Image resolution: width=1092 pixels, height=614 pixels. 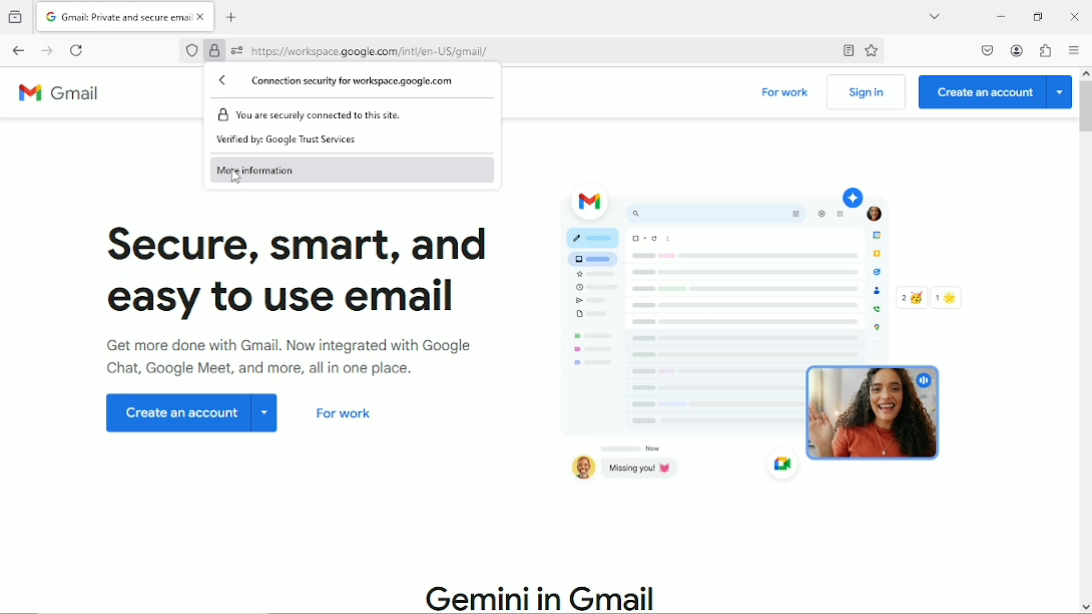 I want to click on current webpage cite: https:// workspace google.com/inti/en-US/gmail/, so click(x=371, y=52).